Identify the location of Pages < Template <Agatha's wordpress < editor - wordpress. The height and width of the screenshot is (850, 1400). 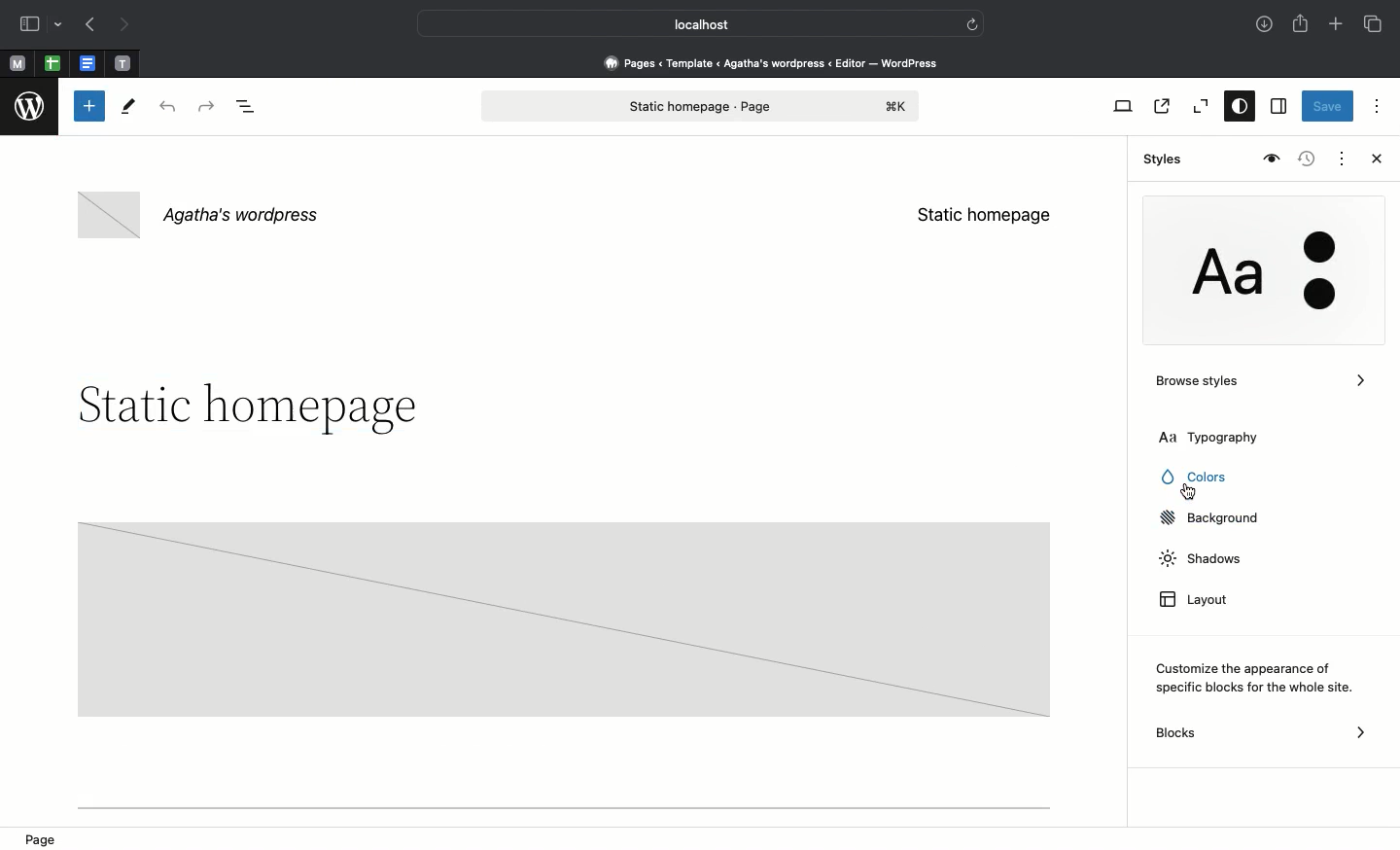
(778, 62).